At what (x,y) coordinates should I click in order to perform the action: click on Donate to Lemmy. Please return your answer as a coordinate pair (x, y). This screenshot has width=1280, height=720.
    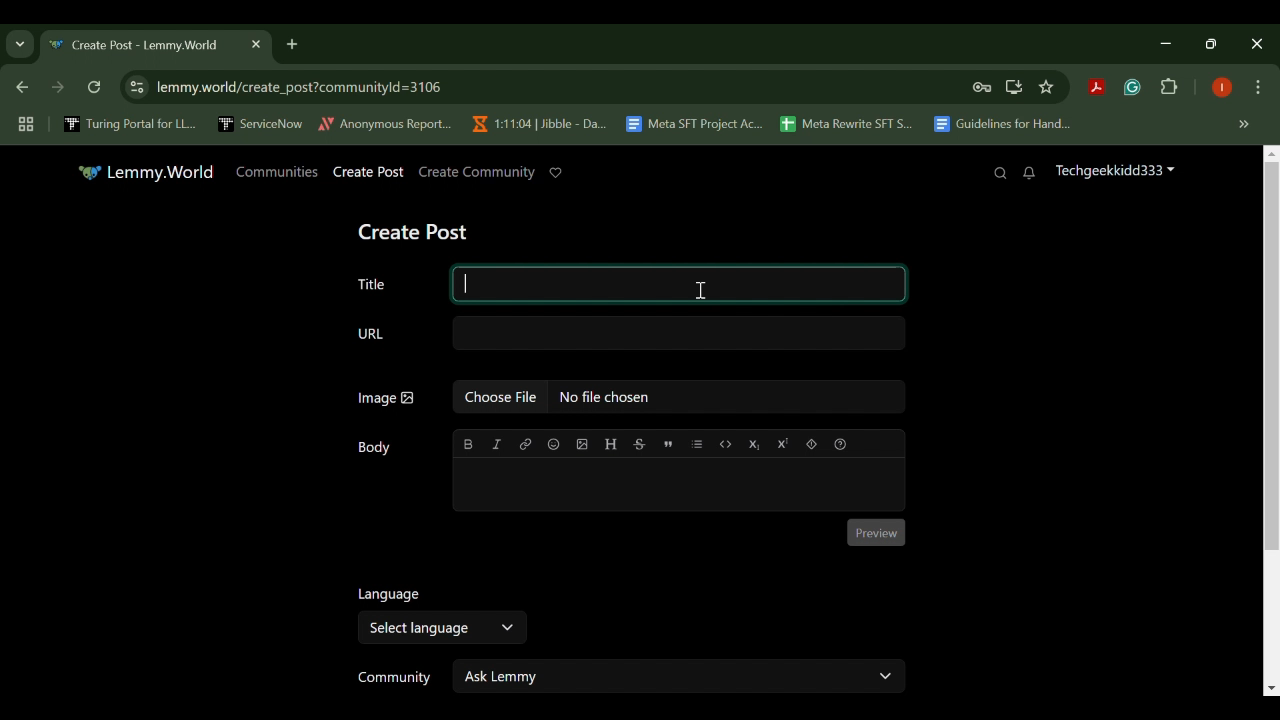
    Looking at the image, I should click on (556, 173).